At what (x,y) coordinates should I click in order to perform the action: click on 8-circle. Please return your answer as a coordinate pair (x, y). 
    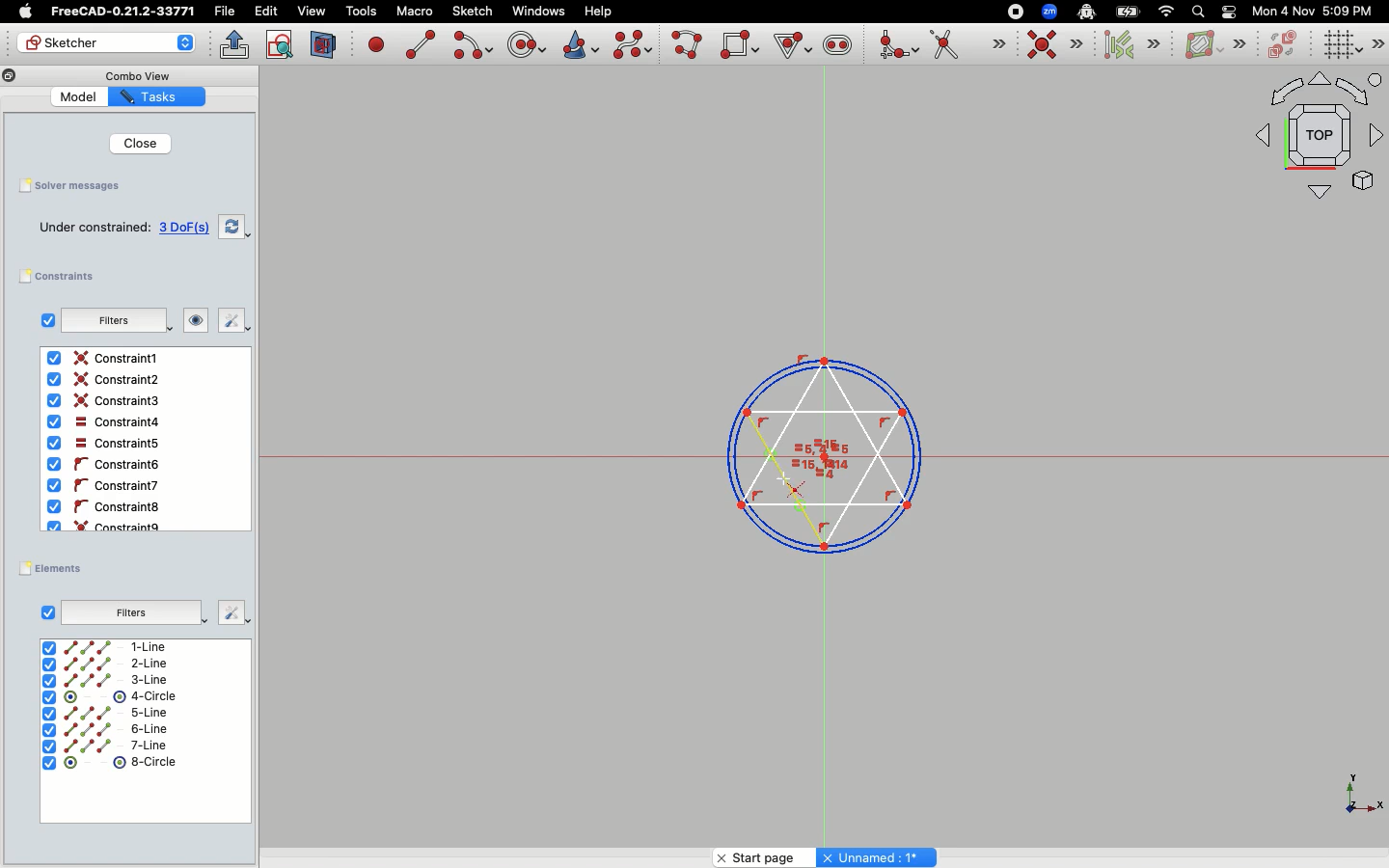
    Looking at the image, I should click on (121, 762).